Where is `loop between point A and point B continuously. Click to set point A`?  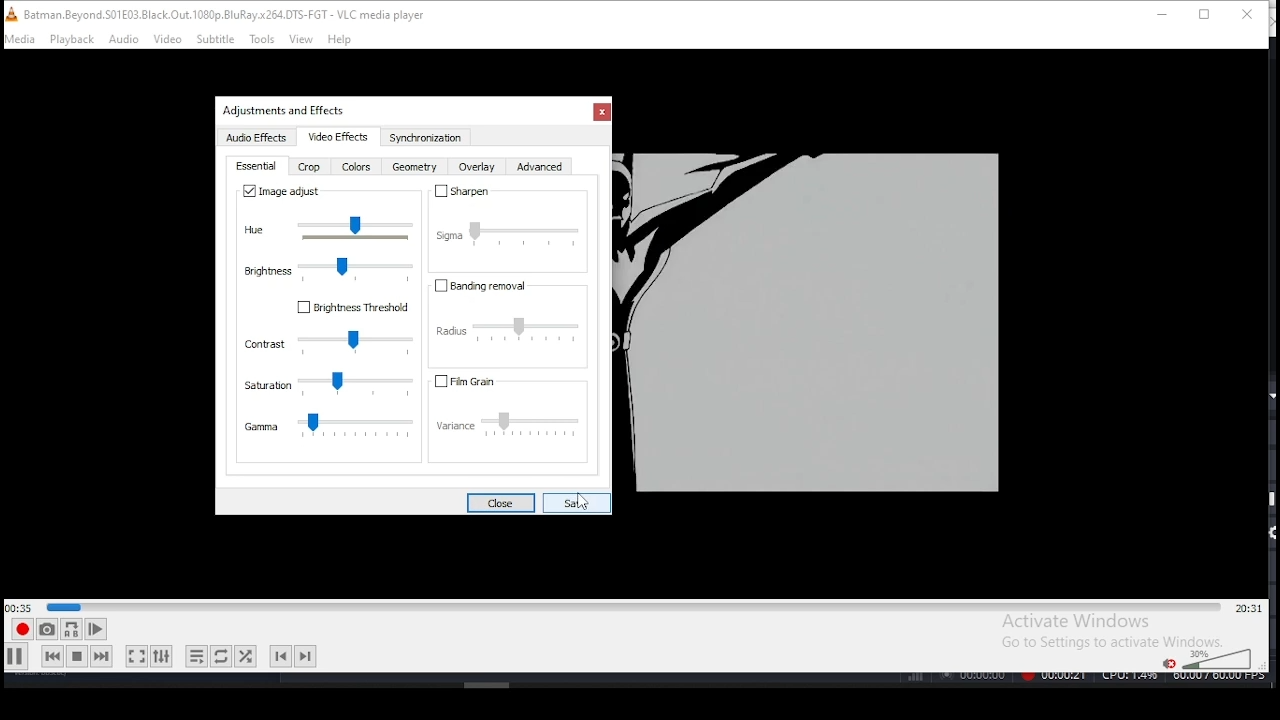
loop between point A and point B continuously. Click to set point A is located at coordinates (69, 630).